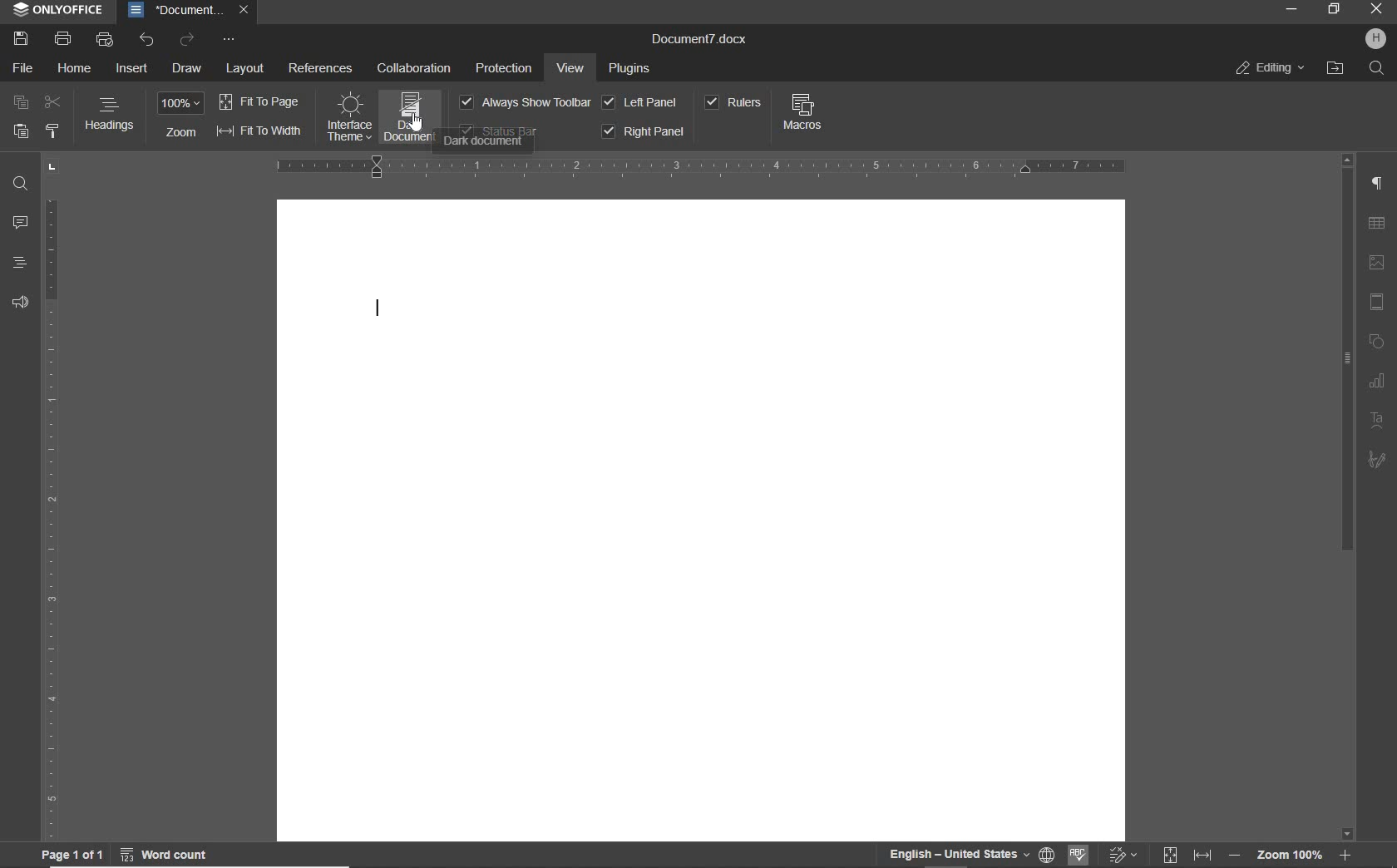 This screenshot has width=1397, height=868. What do you see at coordinates (378, 313) in the screenshot?
I see `CURSOR POSITION AFTER CHANGING INTERFACE THEME` at bounding box center [378, 313].